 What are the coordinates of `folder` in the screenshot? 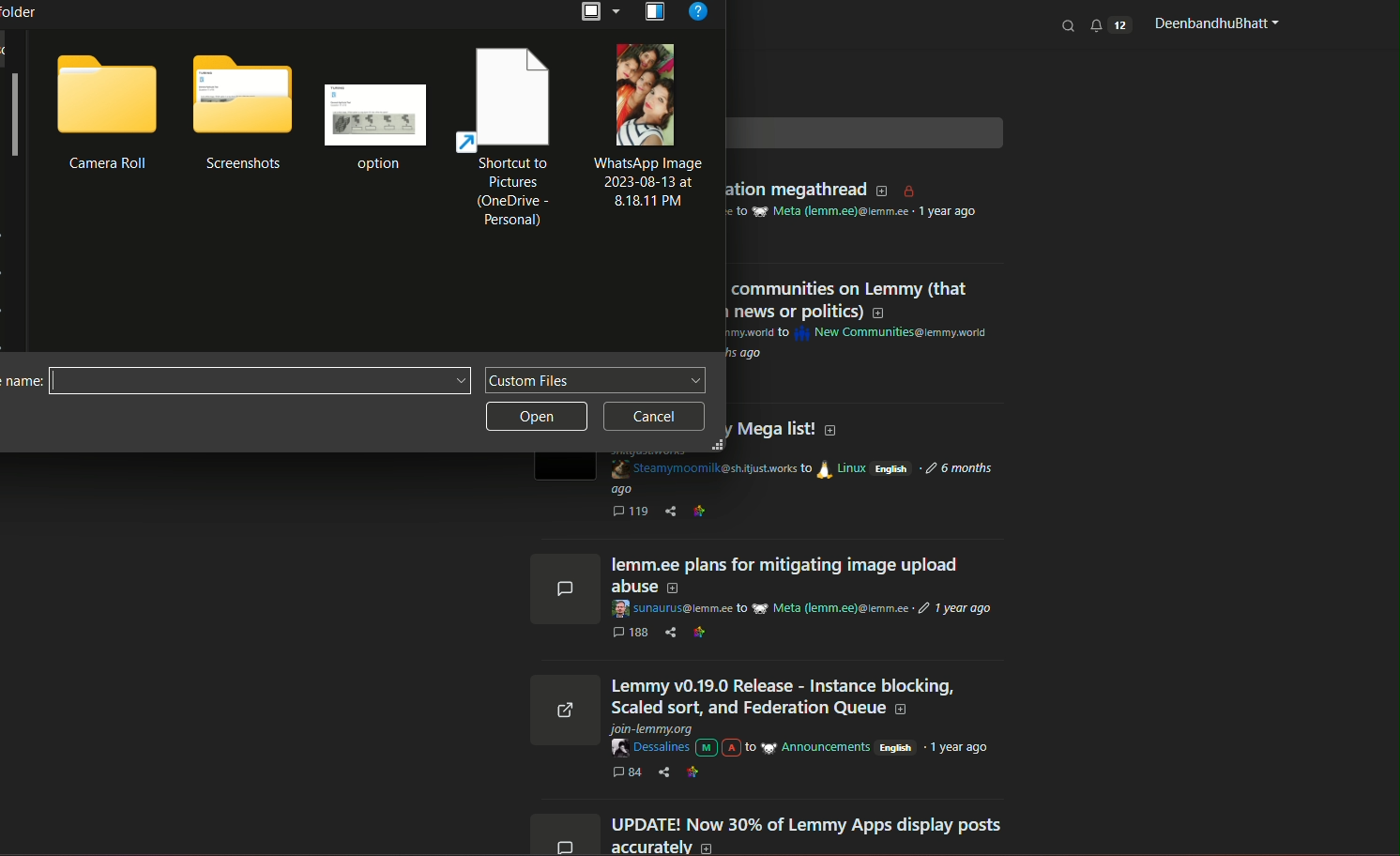 It's located at (244, 97).